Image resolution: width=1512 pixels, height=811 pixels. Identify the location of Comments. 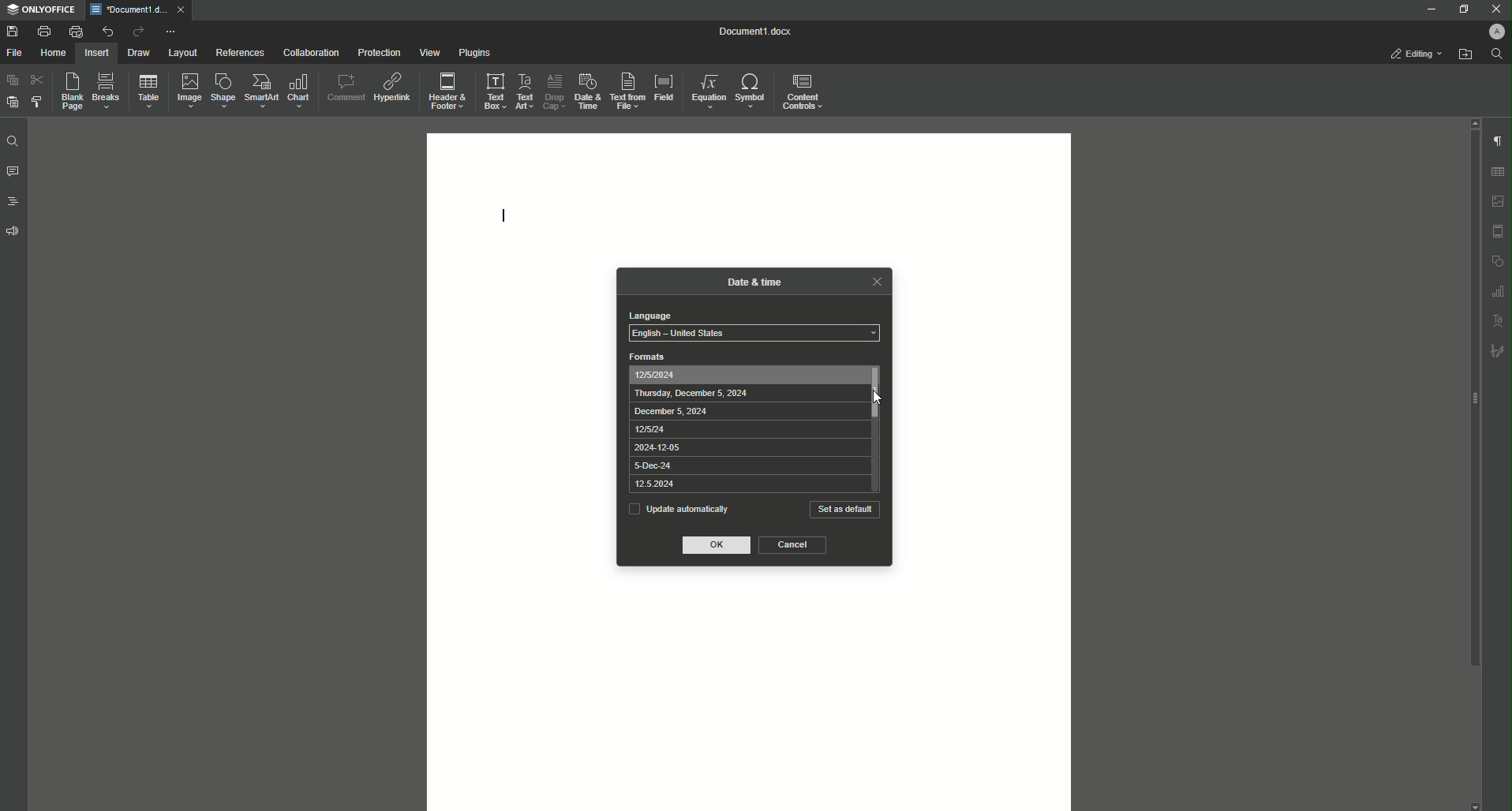
(13, 172).